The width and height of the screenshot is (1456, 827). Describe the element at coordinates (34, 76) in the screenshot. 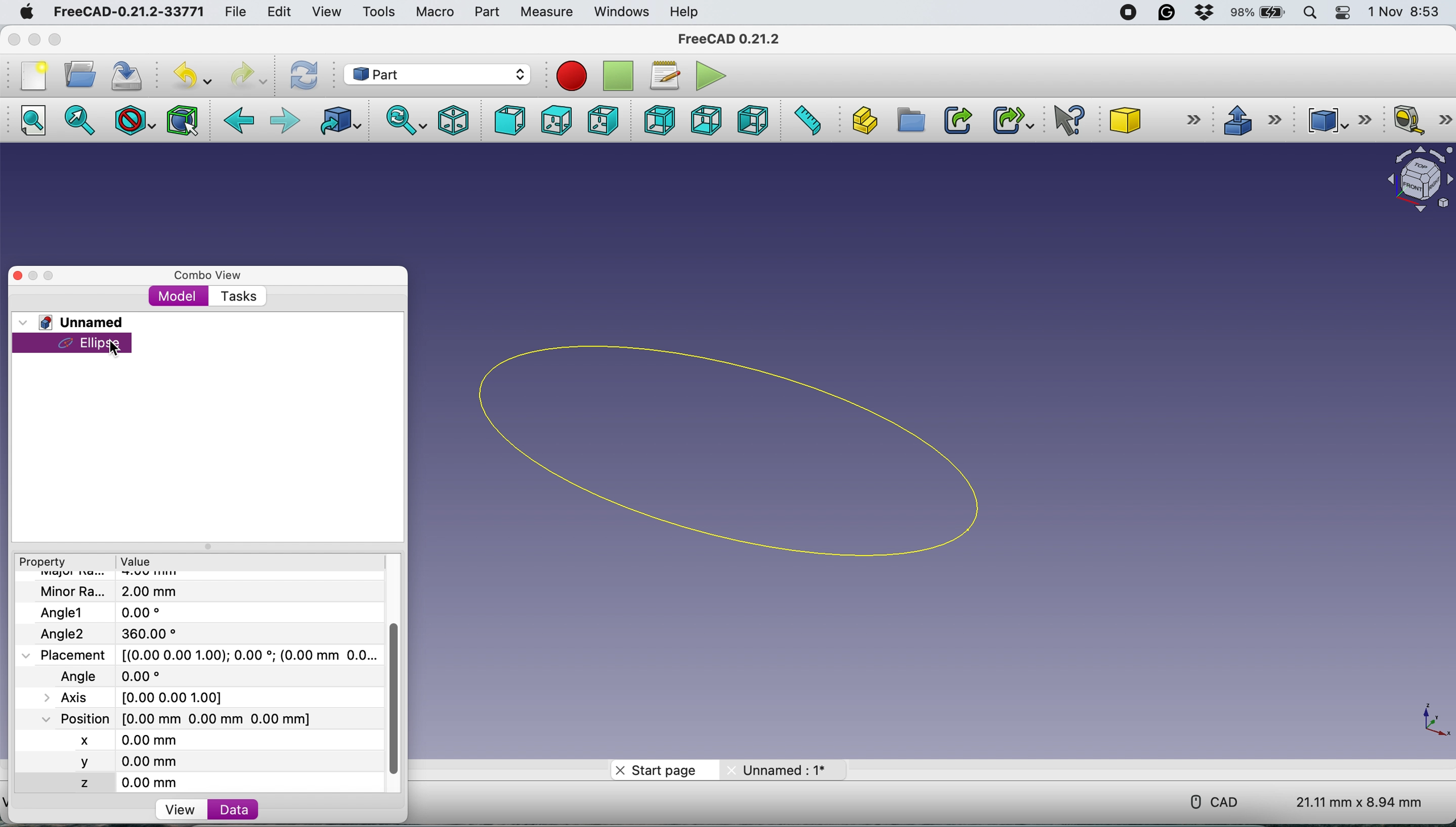

I see `new` at that location.